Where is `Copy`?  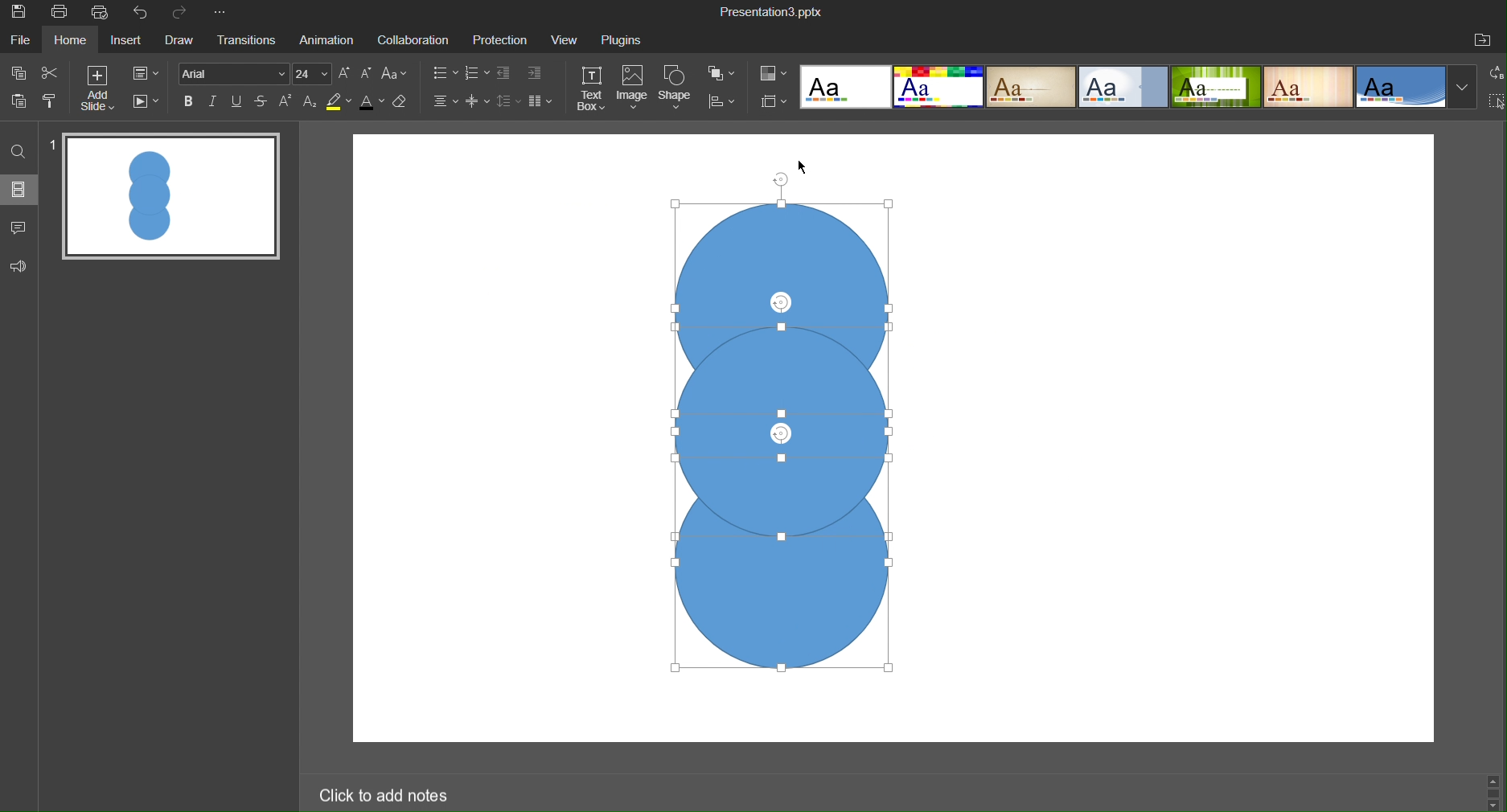
Copy is located at coordinates (18, 75).